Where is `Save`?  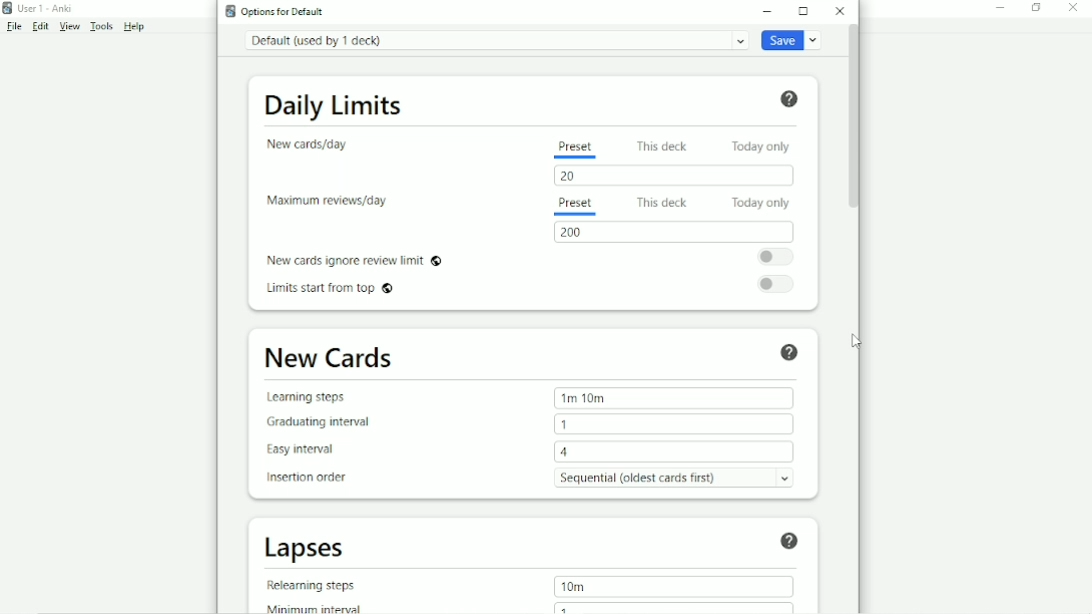 Save is located at coordinates (793, 39).